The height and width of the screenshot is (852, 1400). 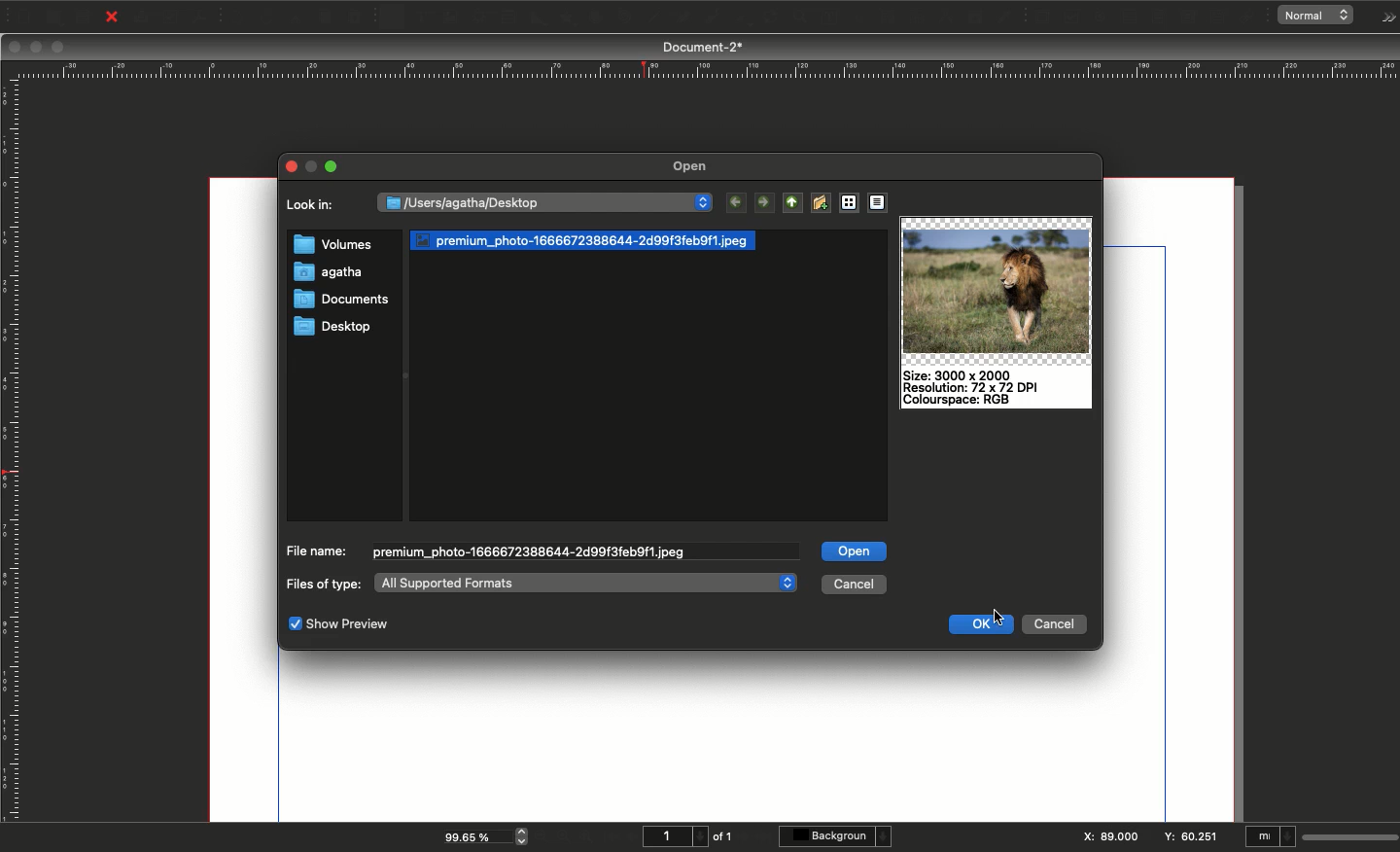 What do you see at coordinates (472, 835) in the screenshot?
I see `99.65 %` at bounding box center [472, 835].